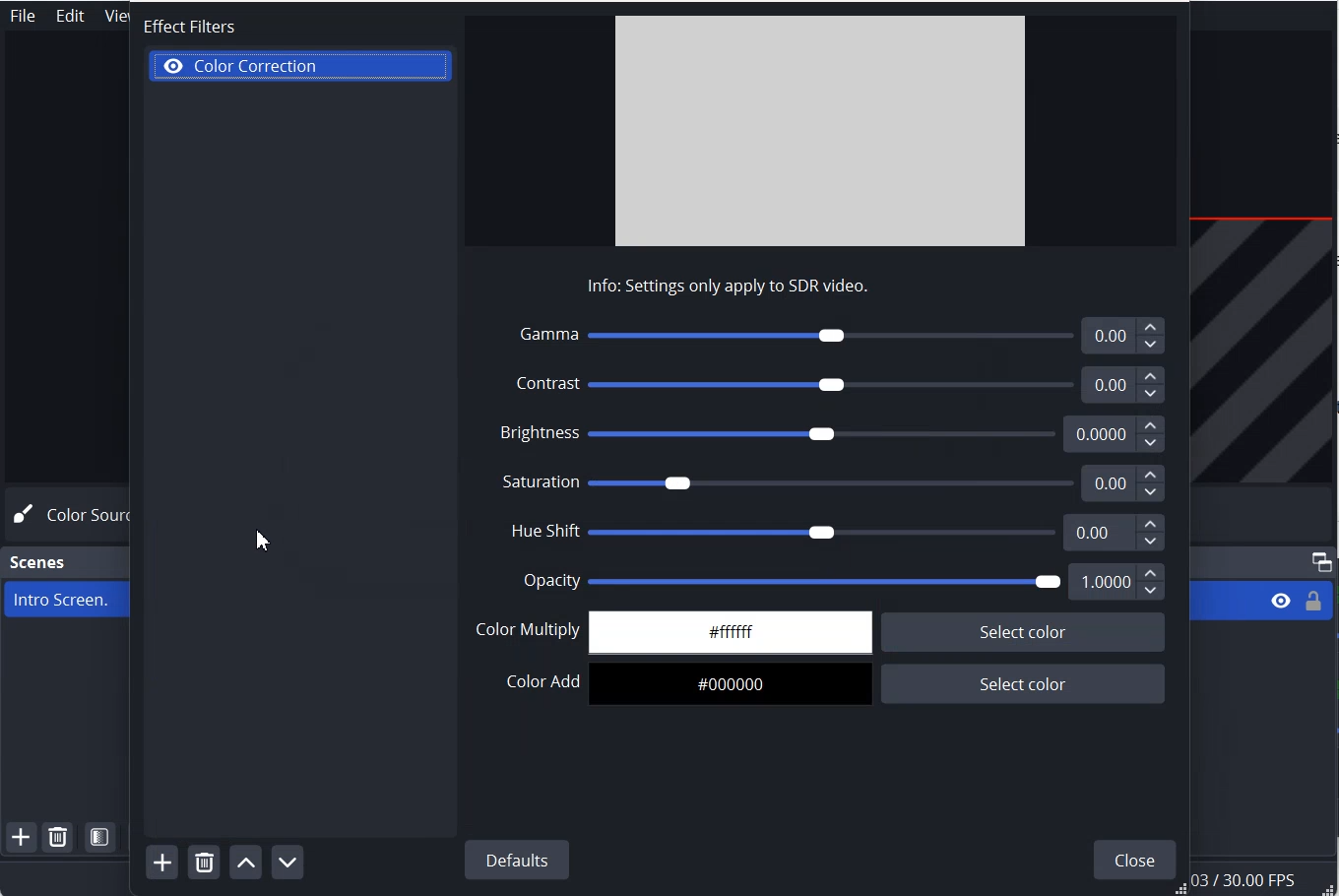 This screenshot has width=1339, height=896. Describe the element at coordinates (835, 433) in the screenshot. I see `Brightness` at that location.